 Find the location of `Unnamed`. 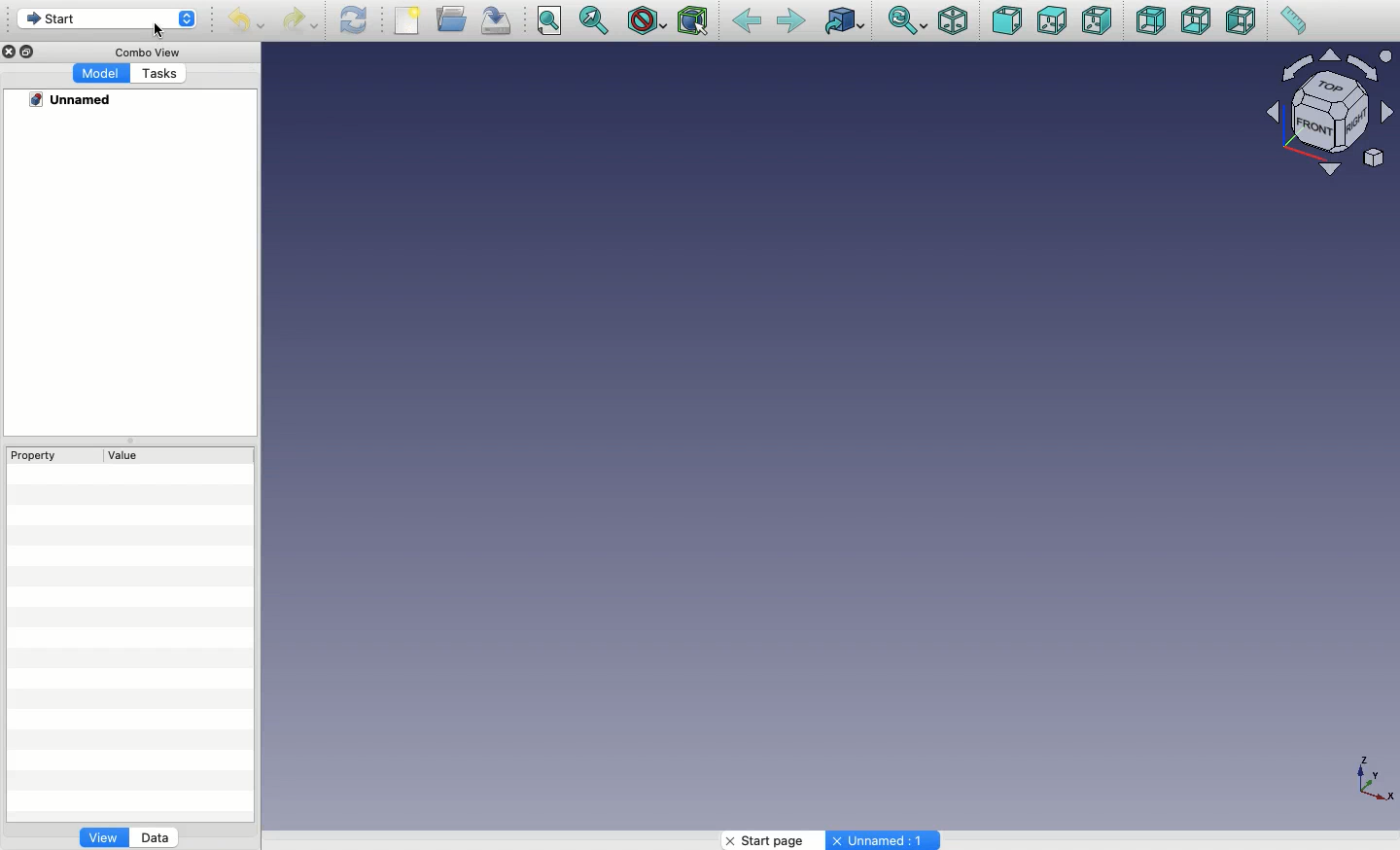

Unnamed is located at coordinates (73, 100).